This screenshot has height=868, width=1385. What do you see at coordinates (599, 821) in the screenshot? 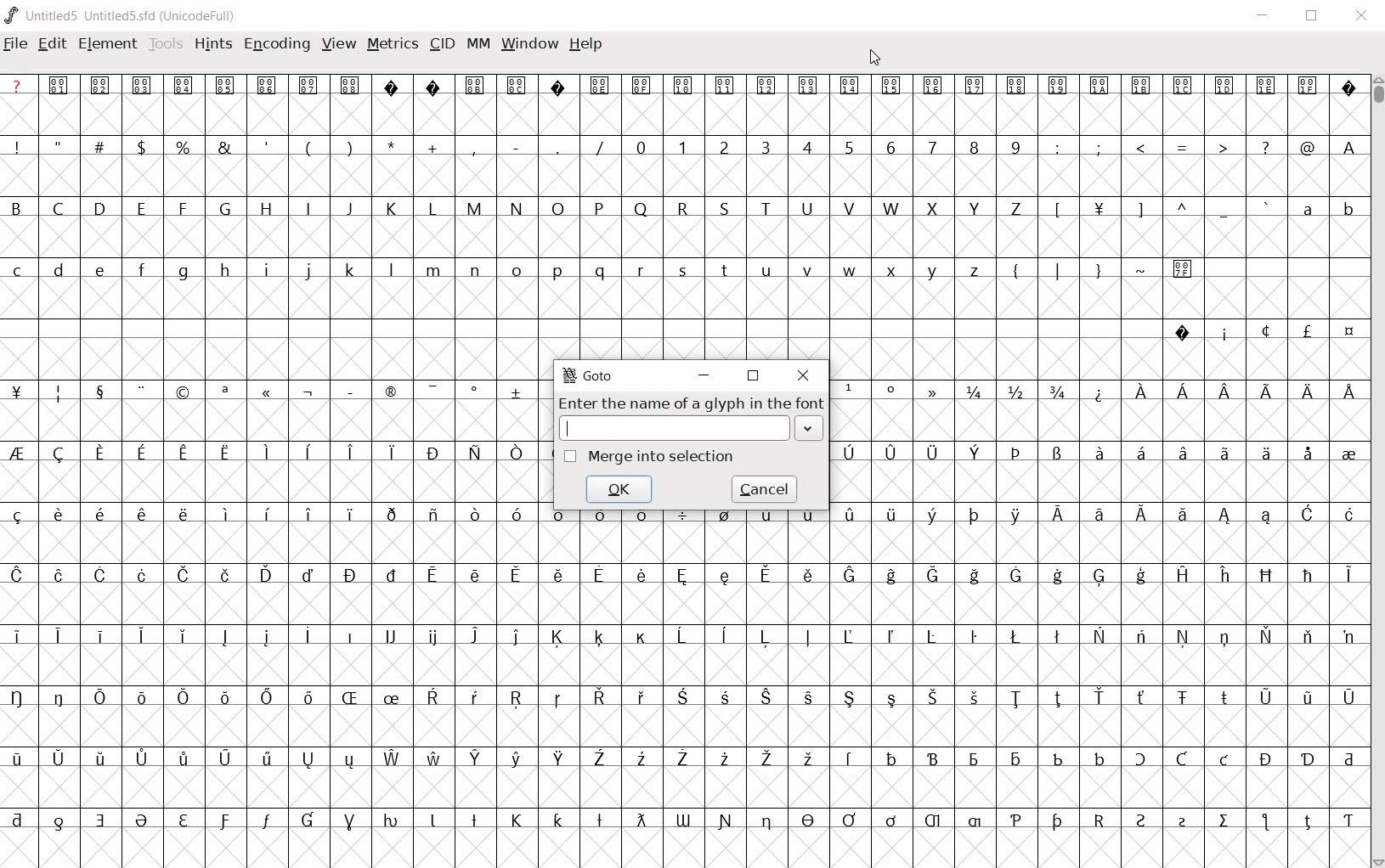
I see `Symbol` at bounding box center [599, 821].